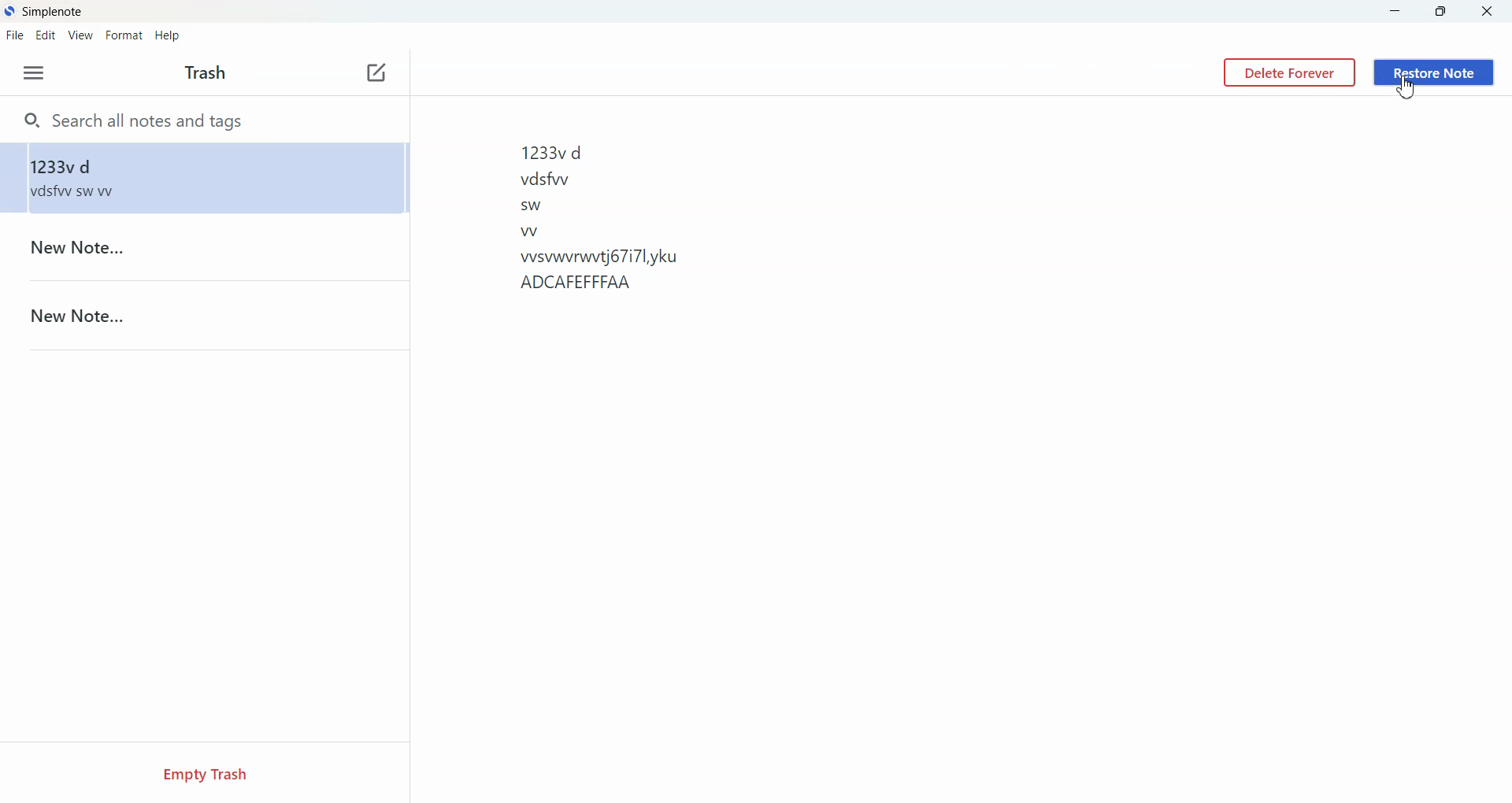 The height and width of the screenshot is (803, 1512). What do you see at coordinates (167, 34) in the screenshot?
I see `Help` at bounding box center [167, 34].